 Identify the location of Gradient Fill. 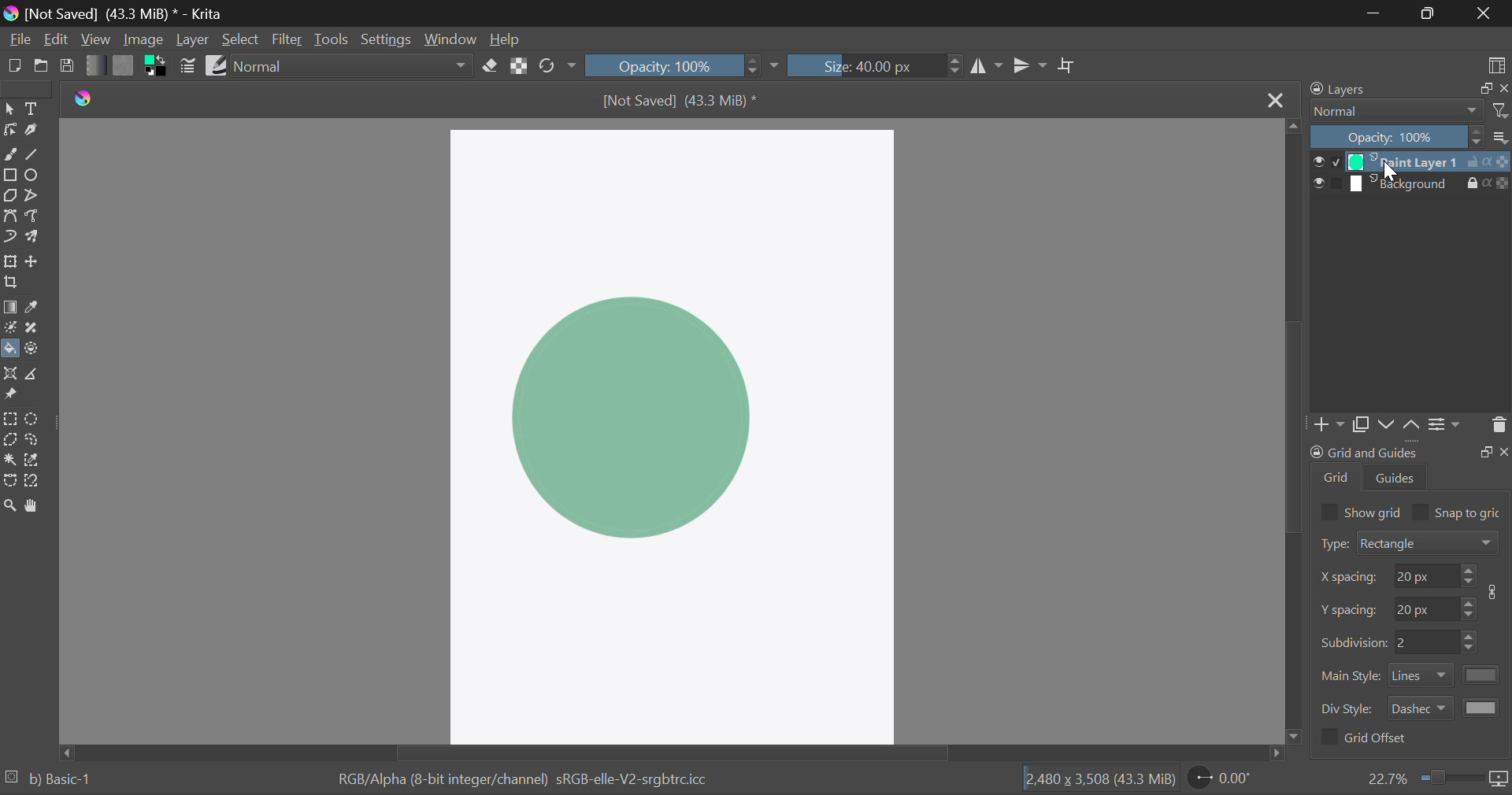
(11, 307).